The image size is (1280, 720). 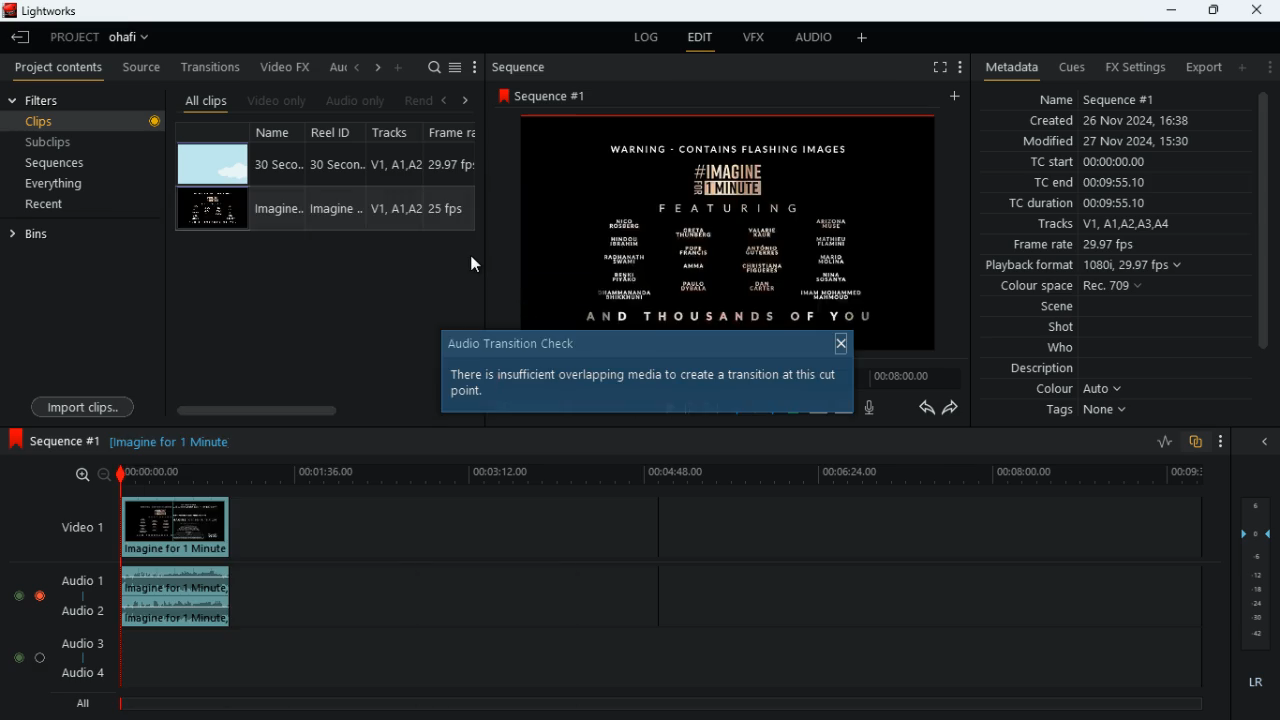 What do you see at coordinates (173, 441) in the screenshot?
I see `Imagine for 1 Minute` at bounding box center [173, 441].